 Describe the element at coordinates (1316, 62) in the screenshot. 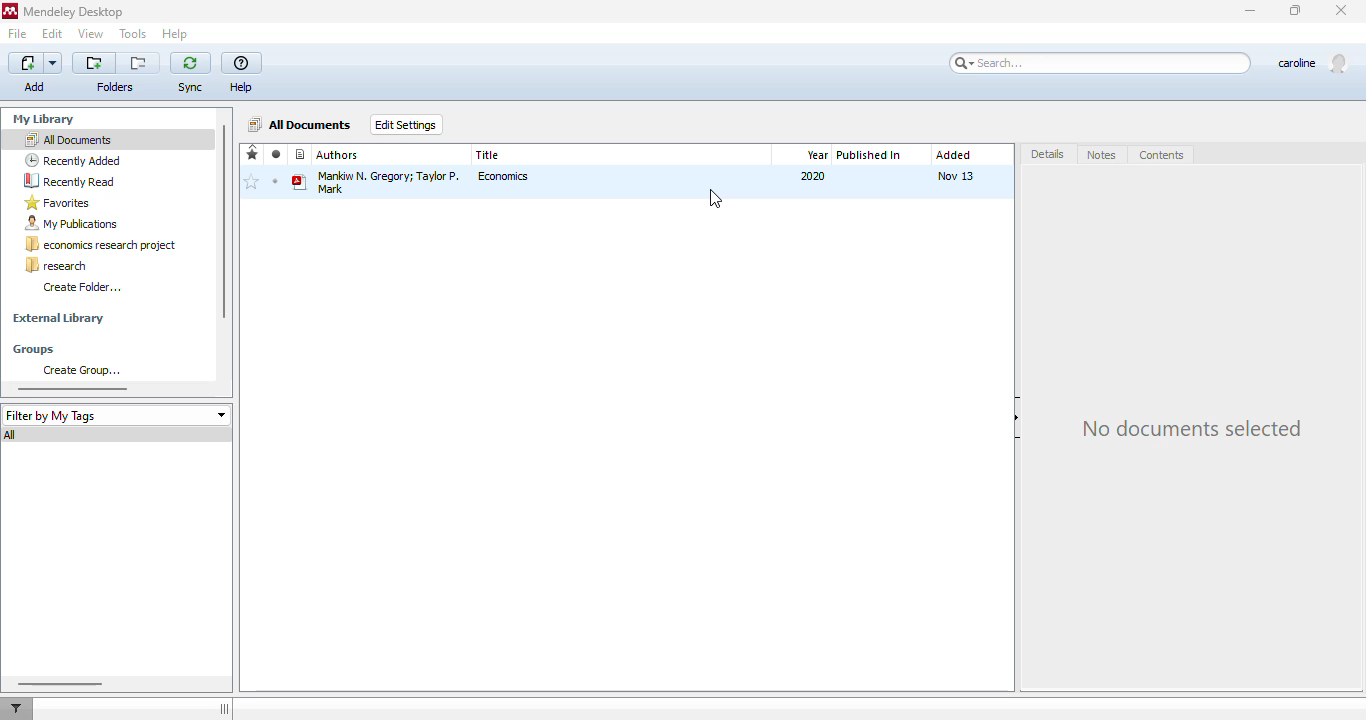

I see `profile` at that location.